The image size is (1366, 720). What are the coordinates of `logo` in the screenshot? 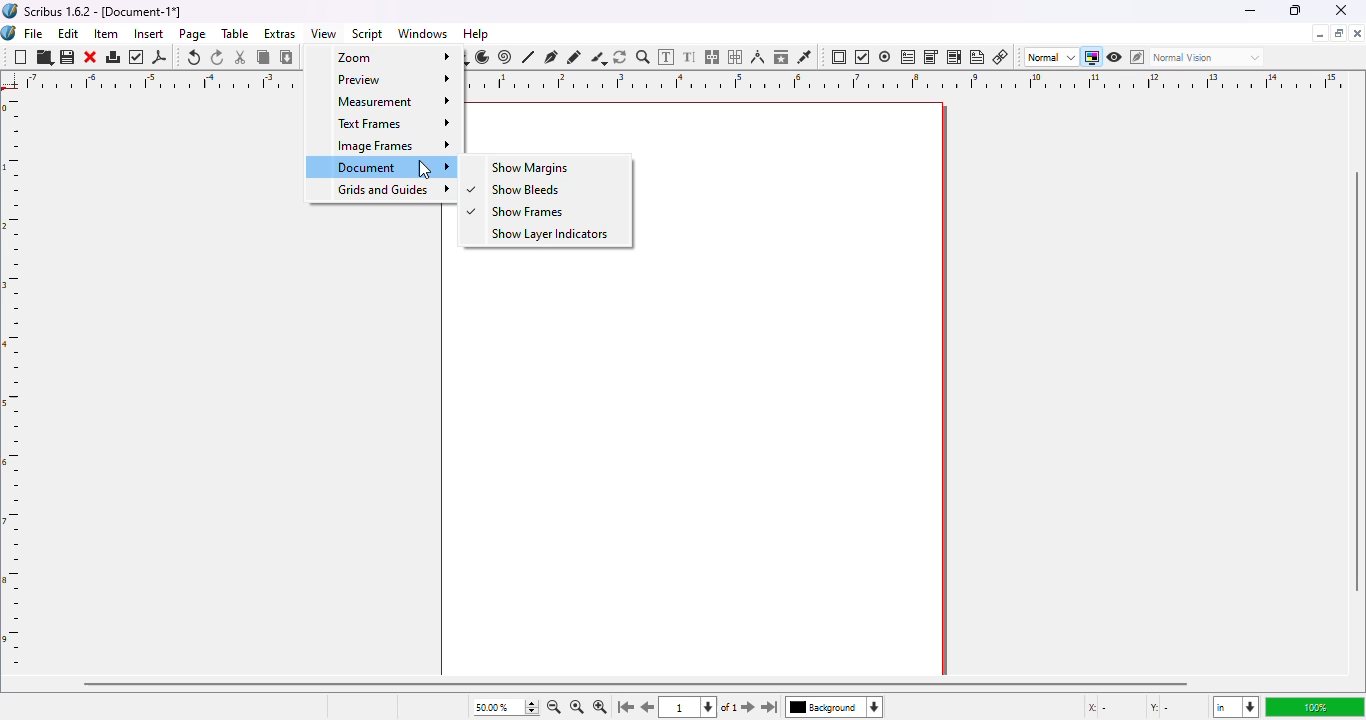 It's located at (10, 10).